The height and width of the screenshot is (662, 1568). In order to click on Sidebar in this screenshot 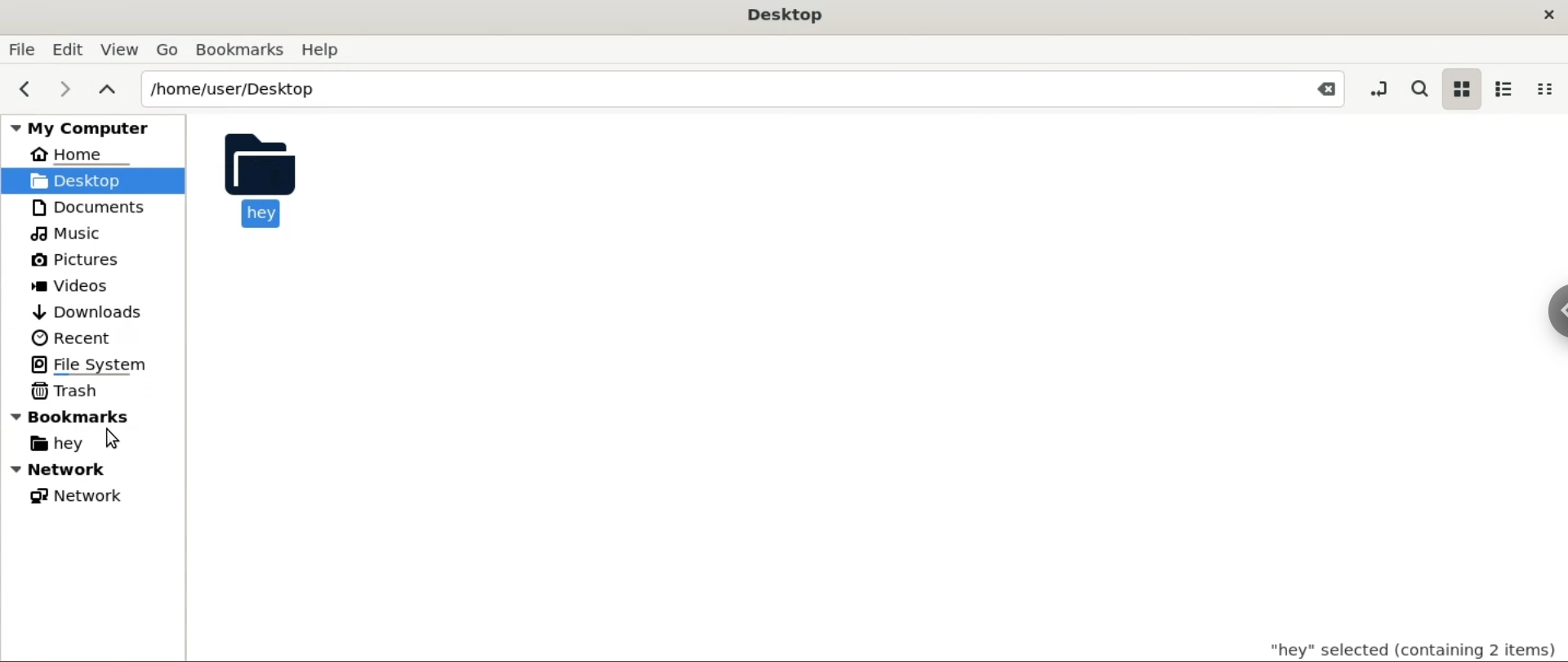, I will do `click(1548, 326)`.